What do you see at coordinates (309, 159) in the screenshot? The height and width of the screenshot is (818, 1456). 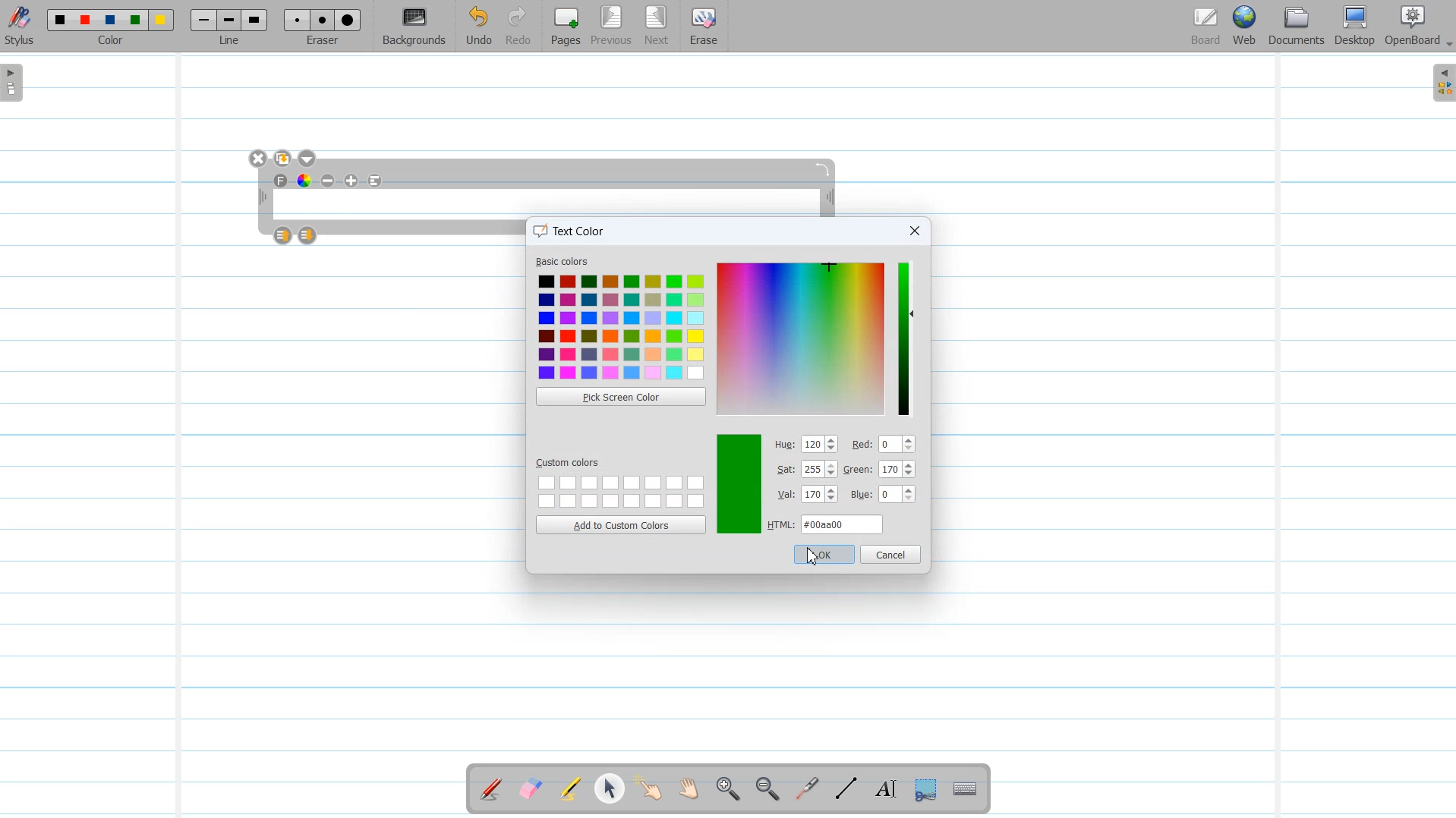 I see `Drop down box` at bounding box center [309, 159].